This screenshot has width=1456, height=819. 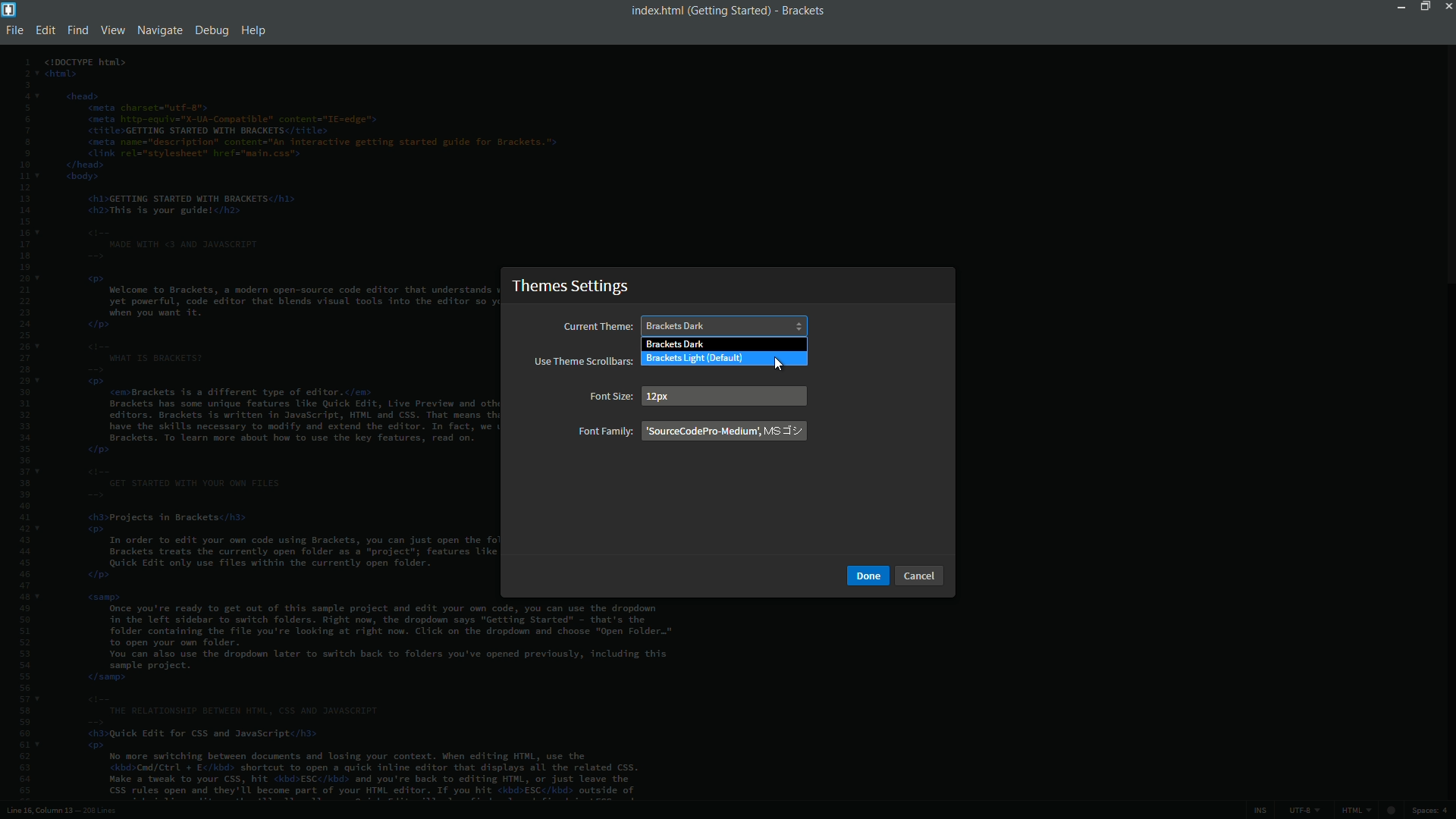 I want to click on cursor position, so click(x=41, y=811).